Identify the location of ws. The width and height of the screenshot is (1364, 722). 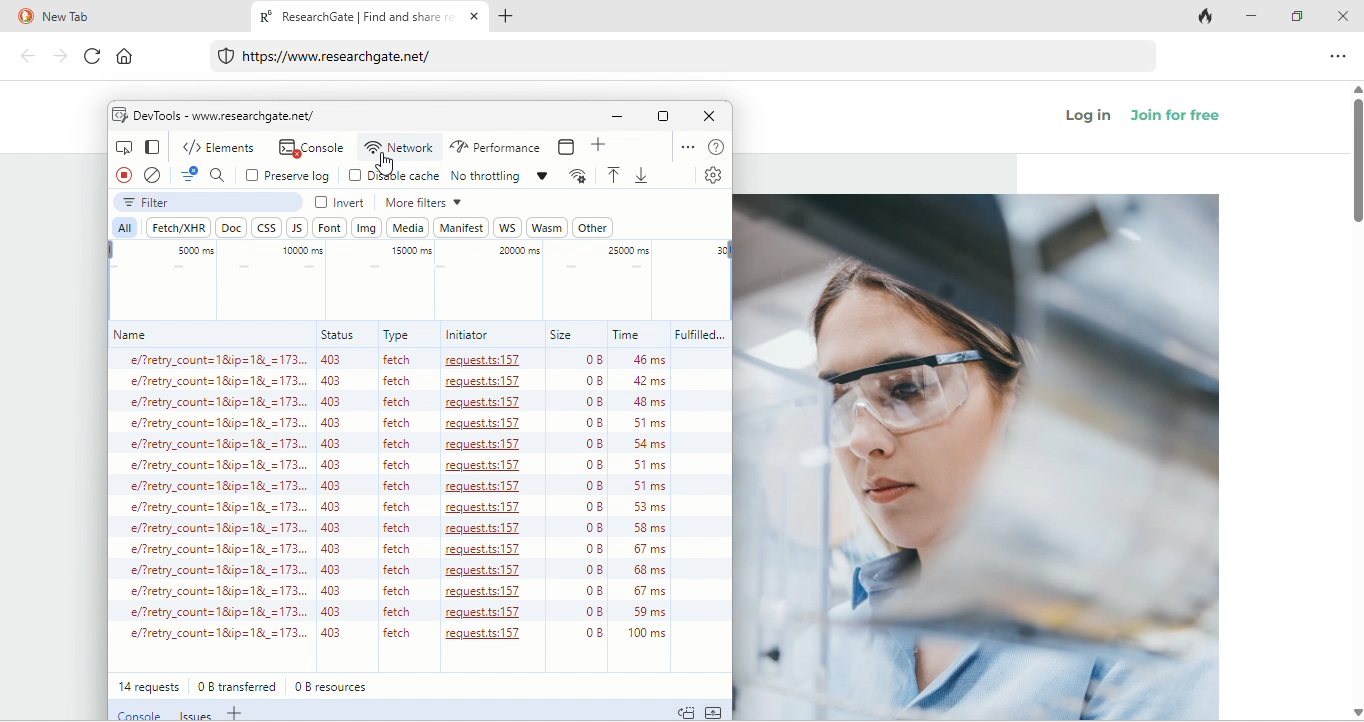
(507, 227).